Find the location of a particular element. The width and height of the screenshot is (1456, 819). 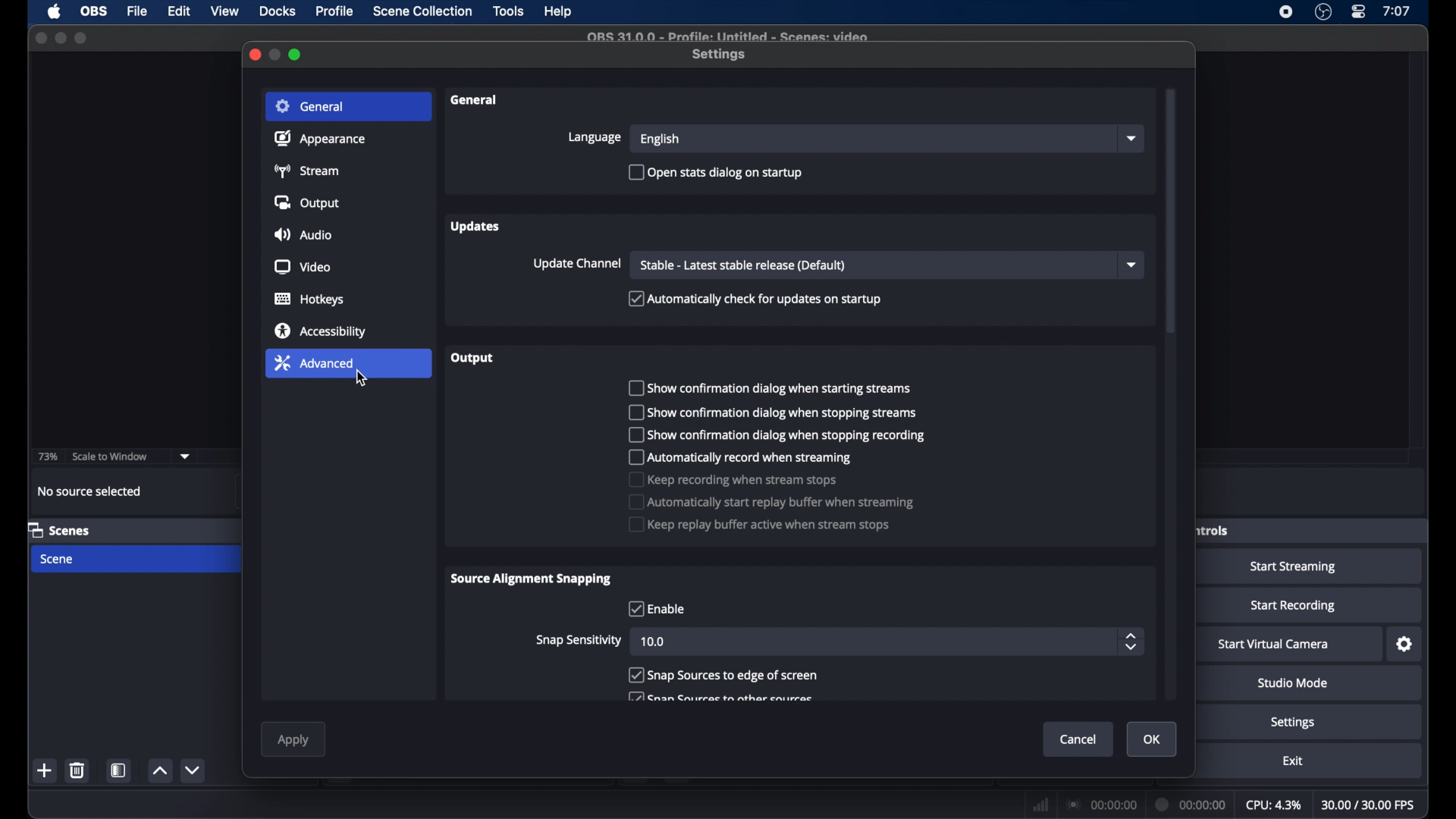

close is located at coordinates (40, 38).